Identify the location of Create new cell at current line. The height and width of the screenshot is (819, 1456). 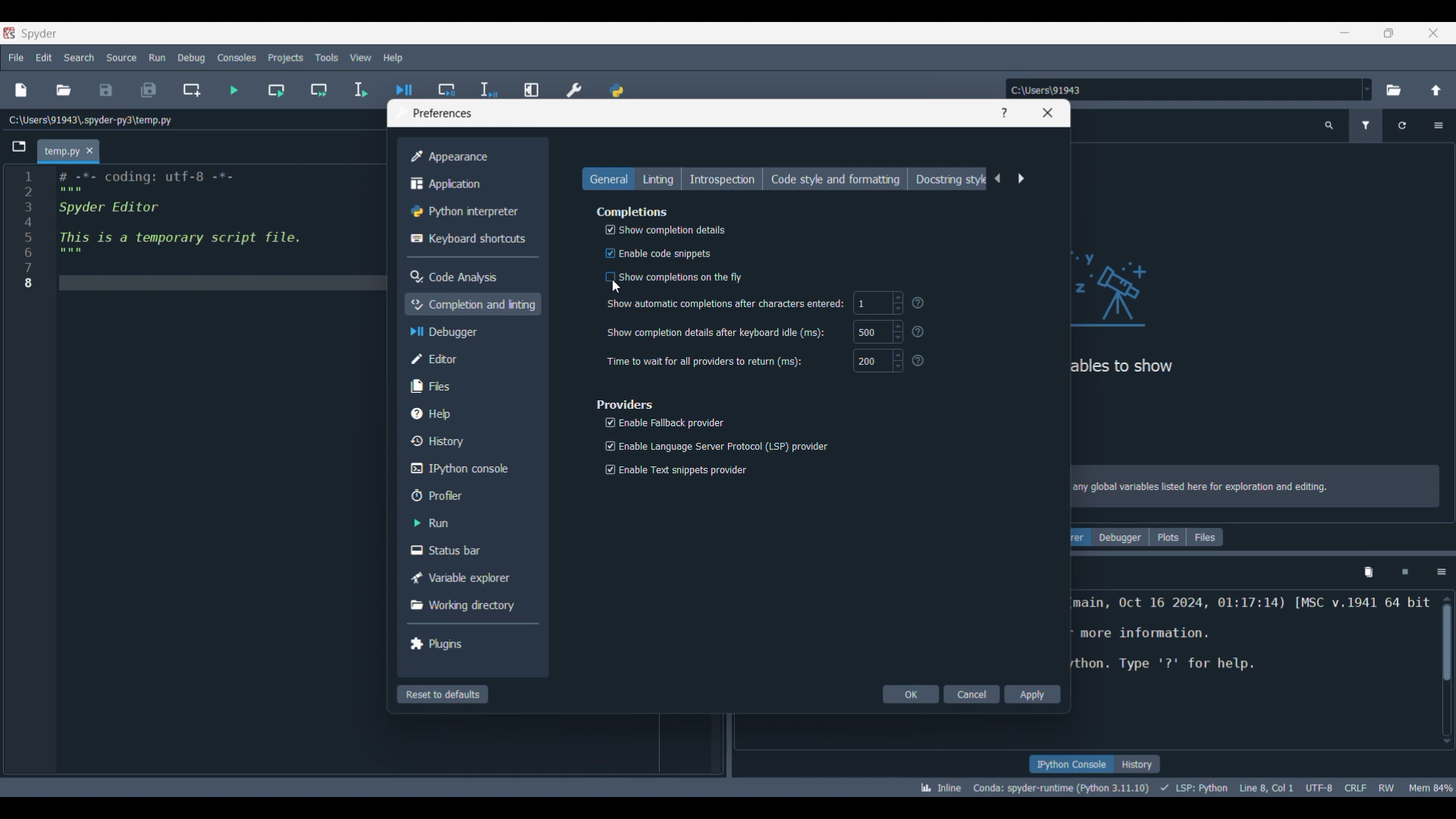
(191, 90).